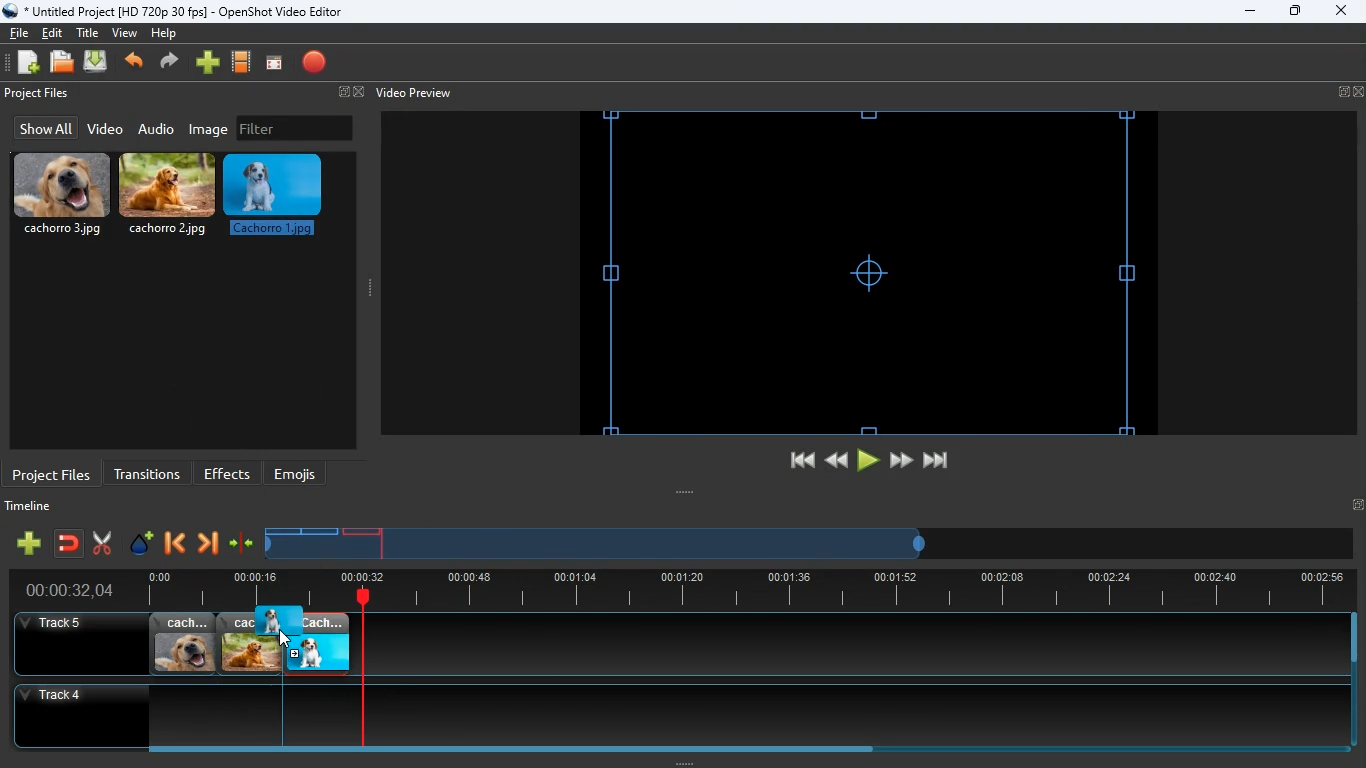 The width and height of the screenshot is (1366, 768). Describe the element at coordinates (598, 551) in the screenshot. I see `timeline` at that location.